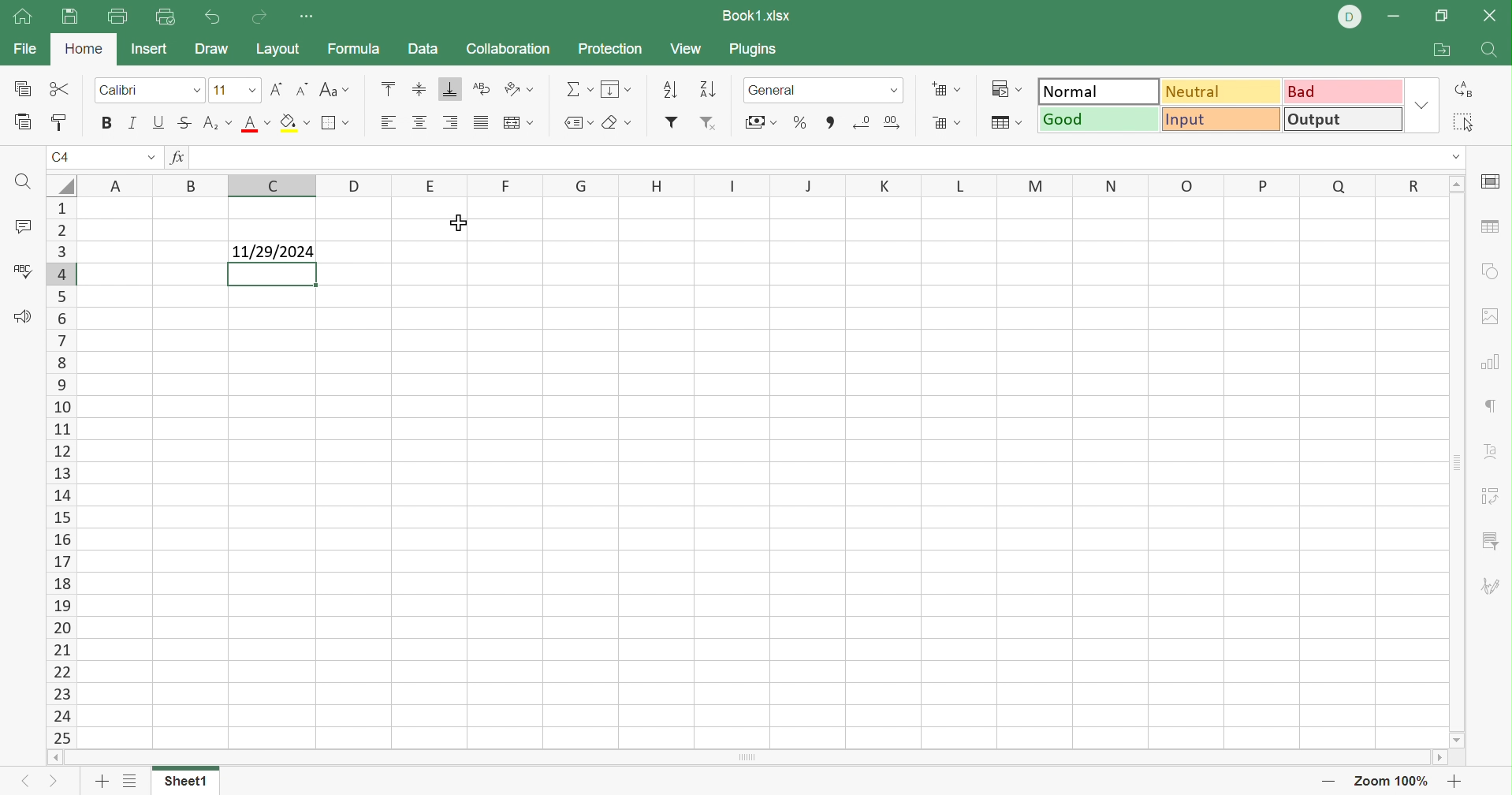 Image resolution: width=1512 pixels, height=795 pixels. What do you see at coordinates (616, 90) in the screenshot?
I see `Fill` at bounding box center [616, 90].